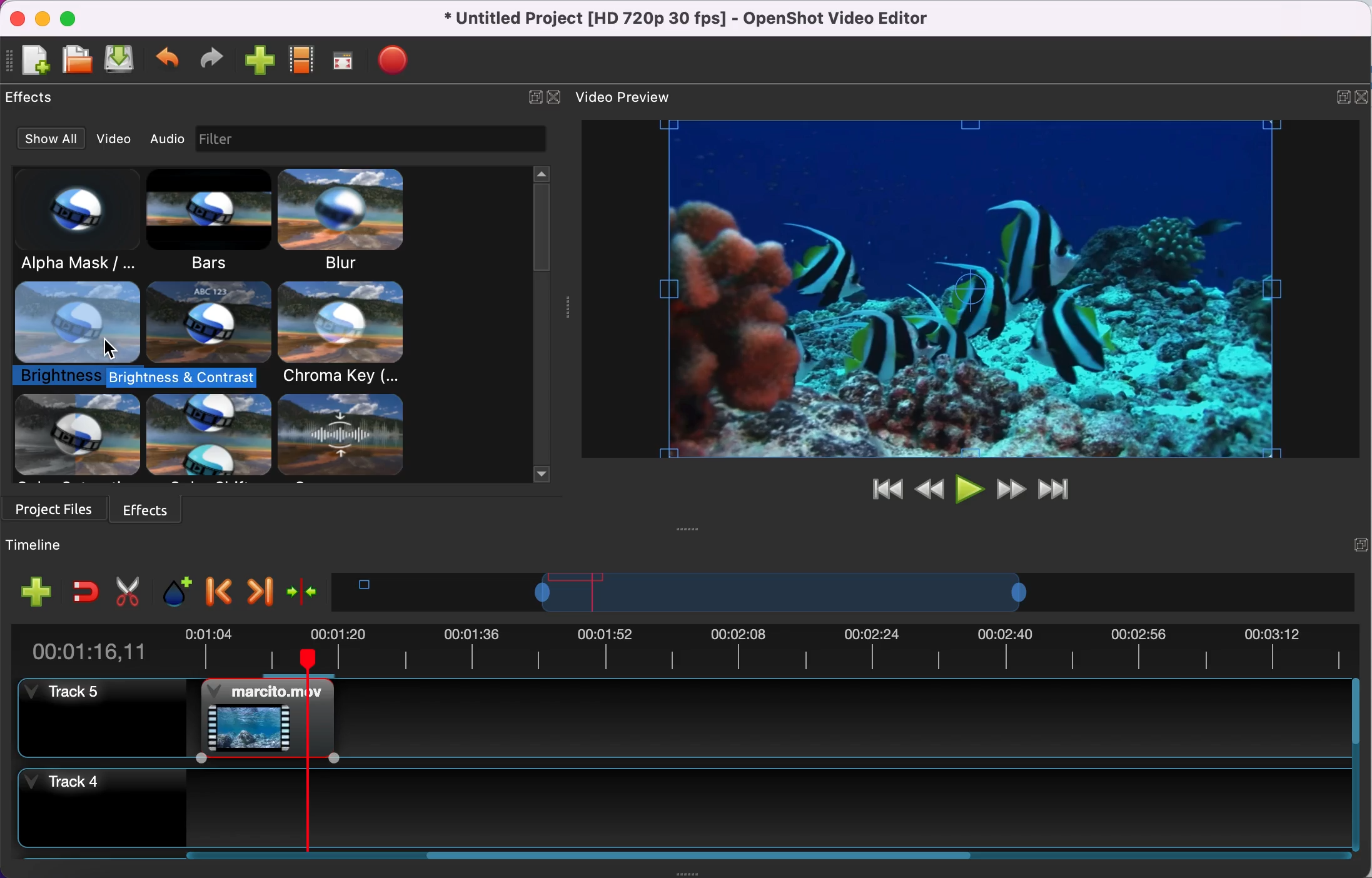  Describe the element at coordinates (1356, 766) in the screenshot. I see `Vertical slide bar` at that location.